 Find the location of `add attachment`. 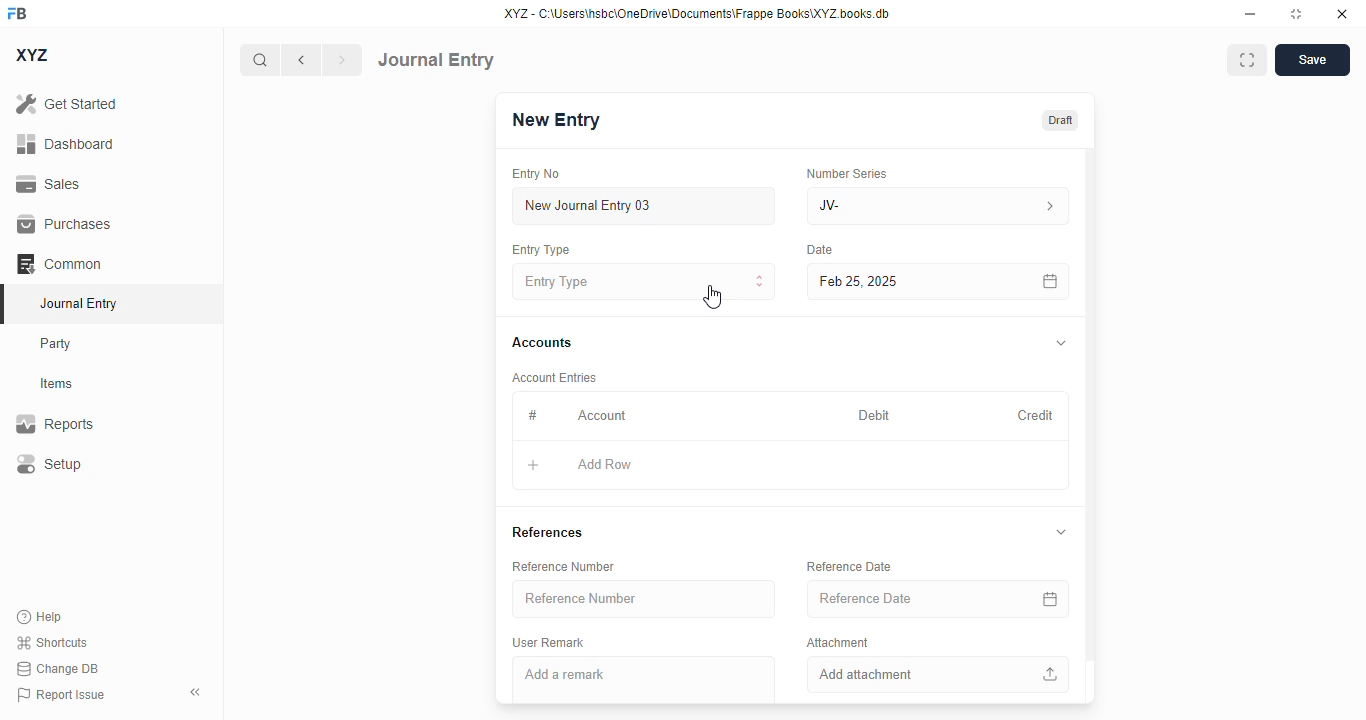

add attachment is located at coordinates (938, 674).